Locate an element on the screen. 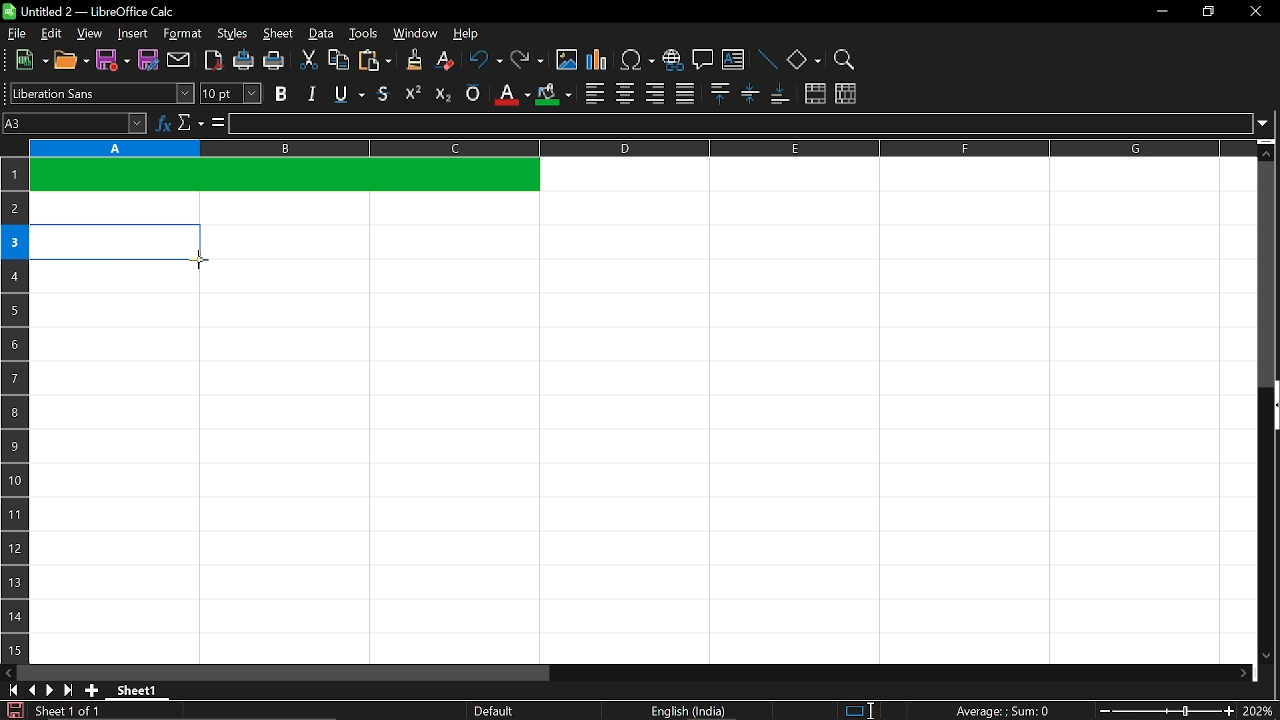  insert hyperlink is located at coordinates (672, 58).